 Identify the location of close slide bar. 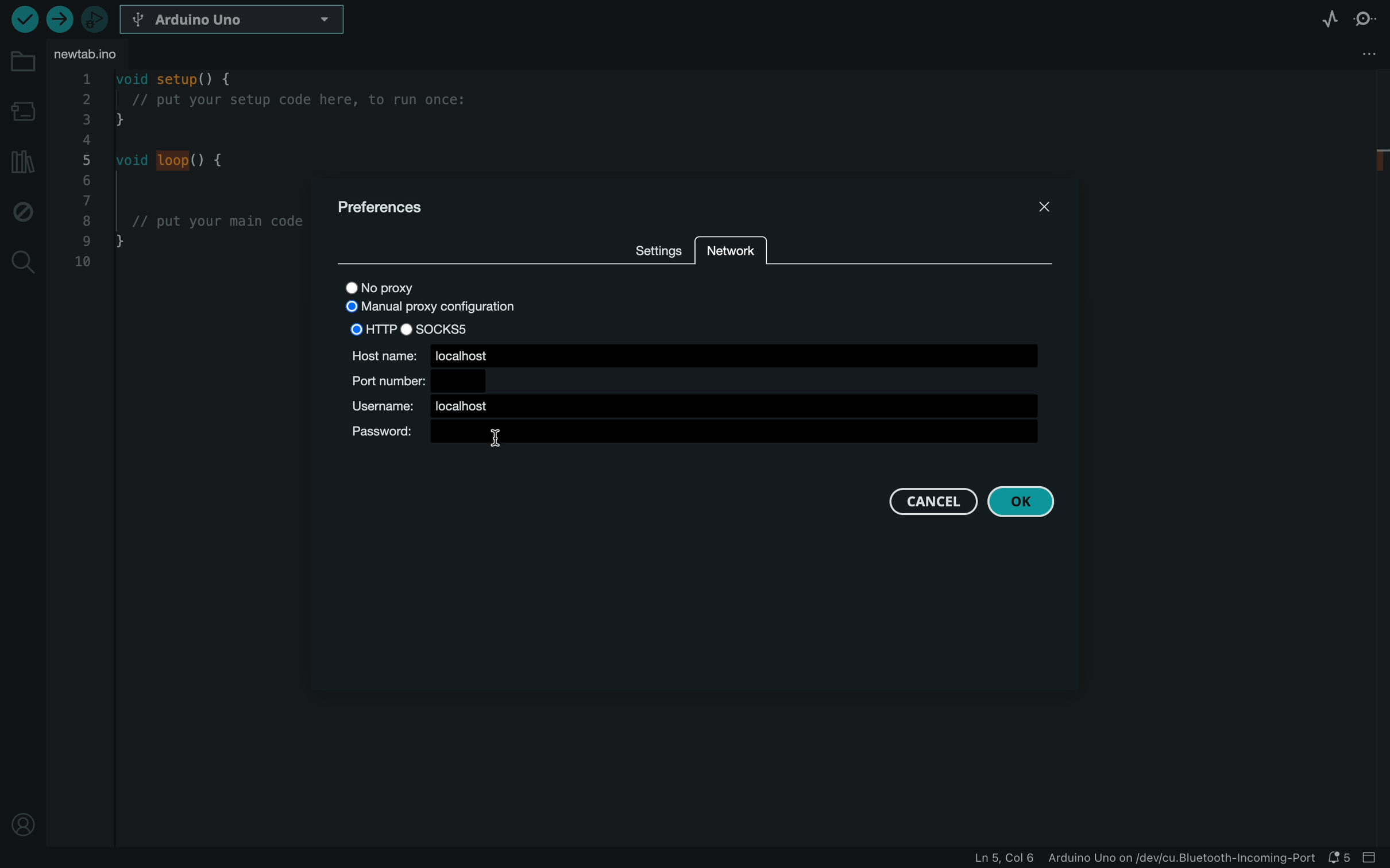
(1373, 858).